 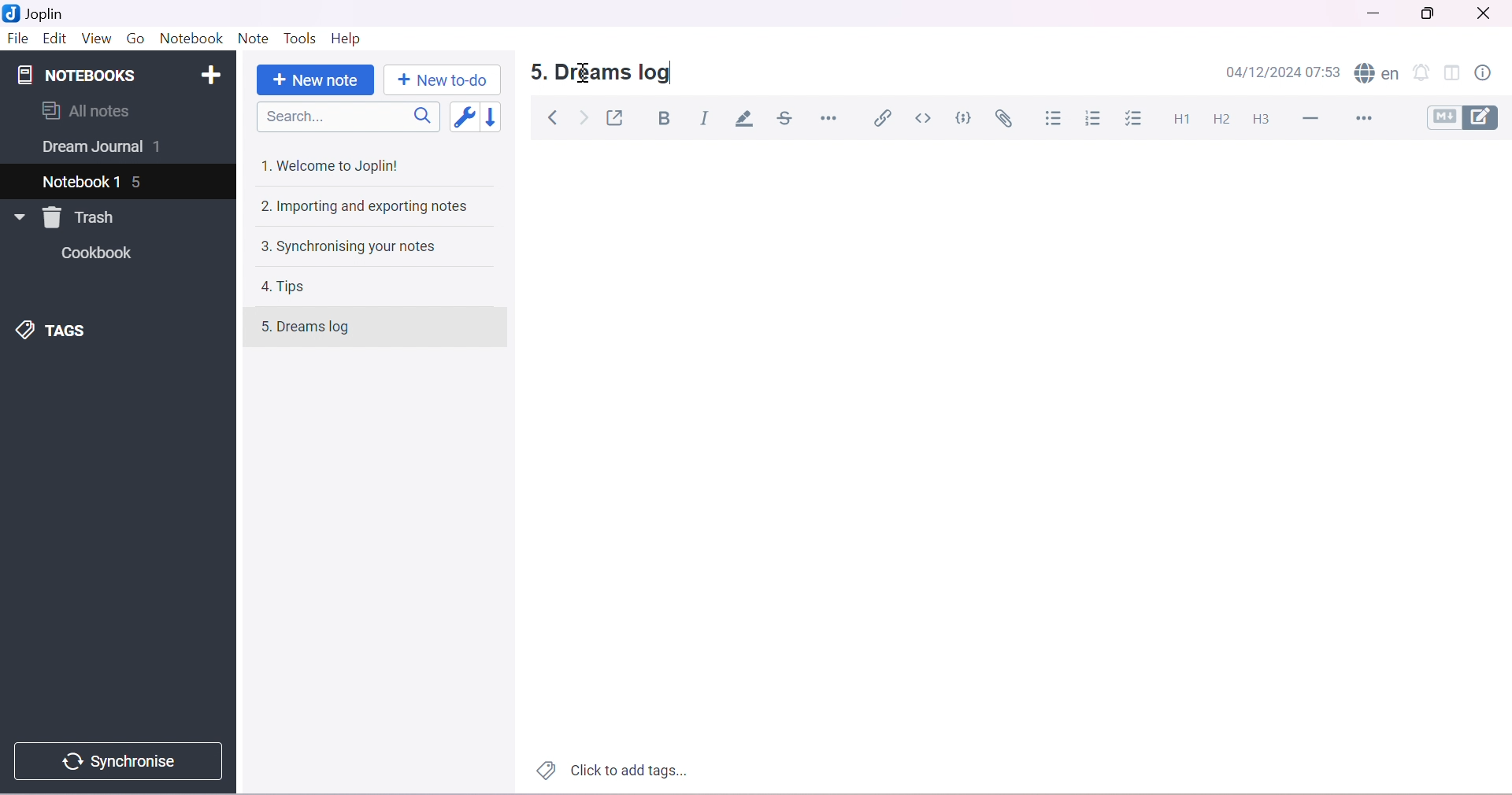 I want to click on 5, so click(x=141, y=183).